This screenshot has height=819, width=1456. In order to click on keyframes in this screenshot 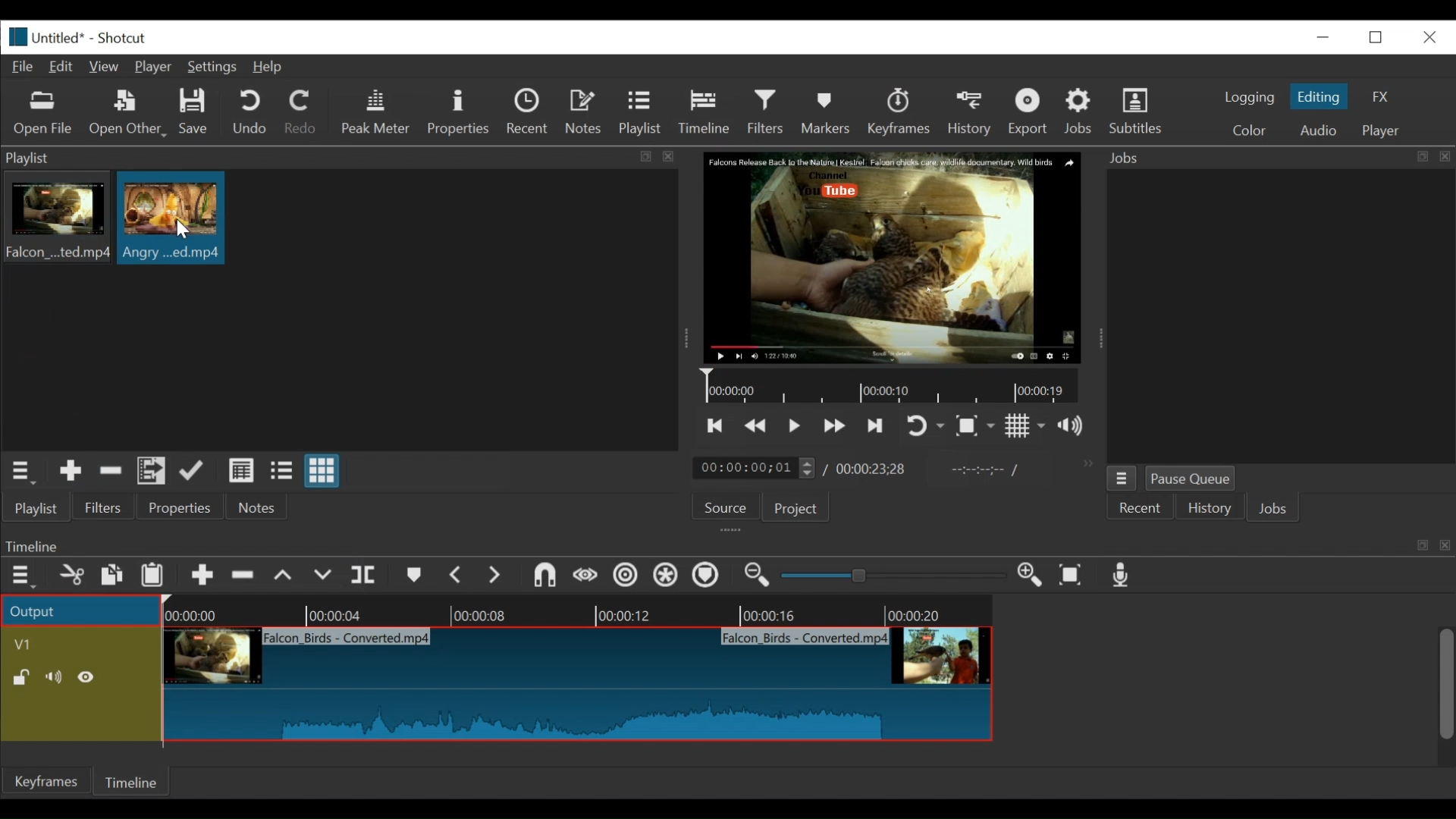, I will do `click(900, 114)`.